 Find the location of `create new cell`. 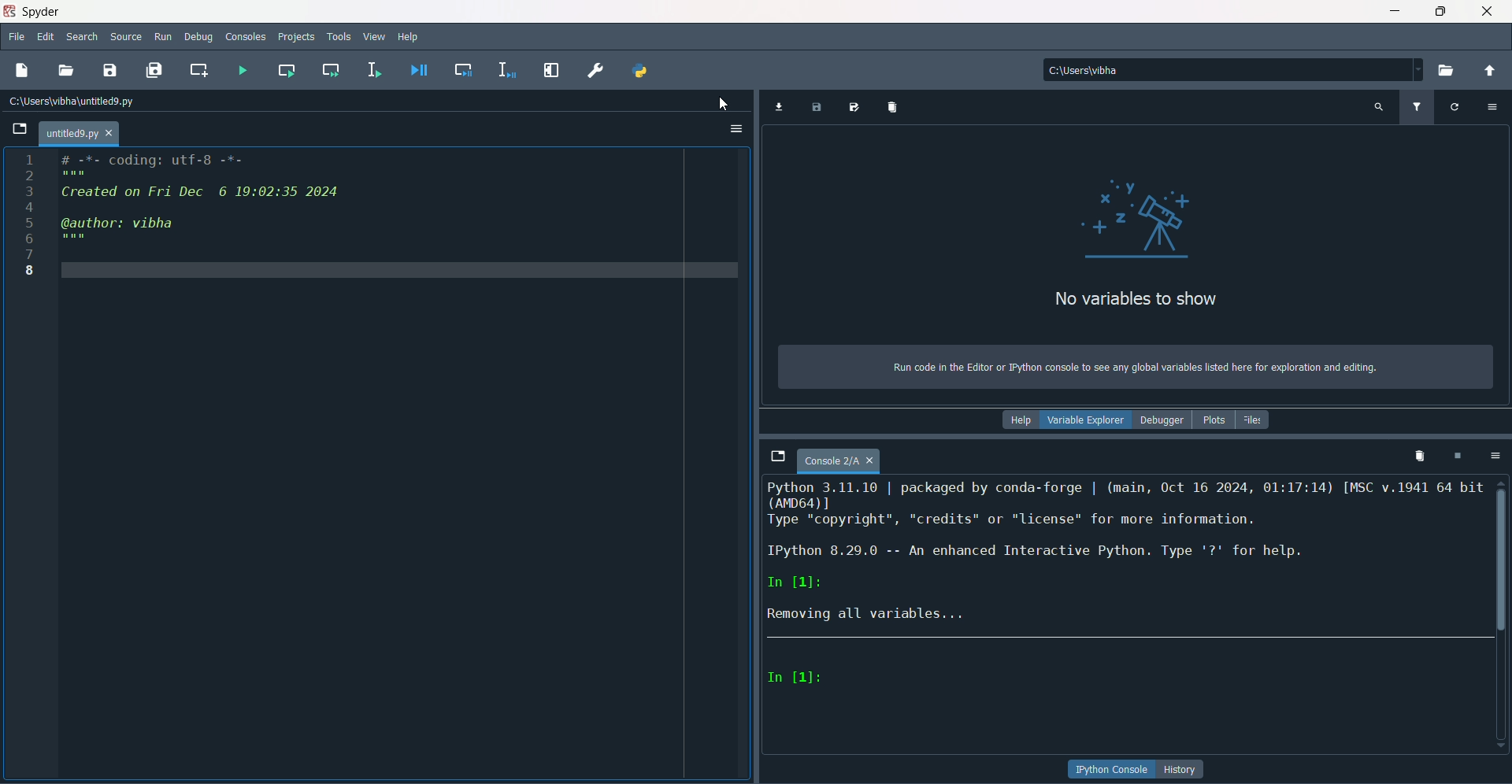

create new cell is located at coordinates (199, 69).